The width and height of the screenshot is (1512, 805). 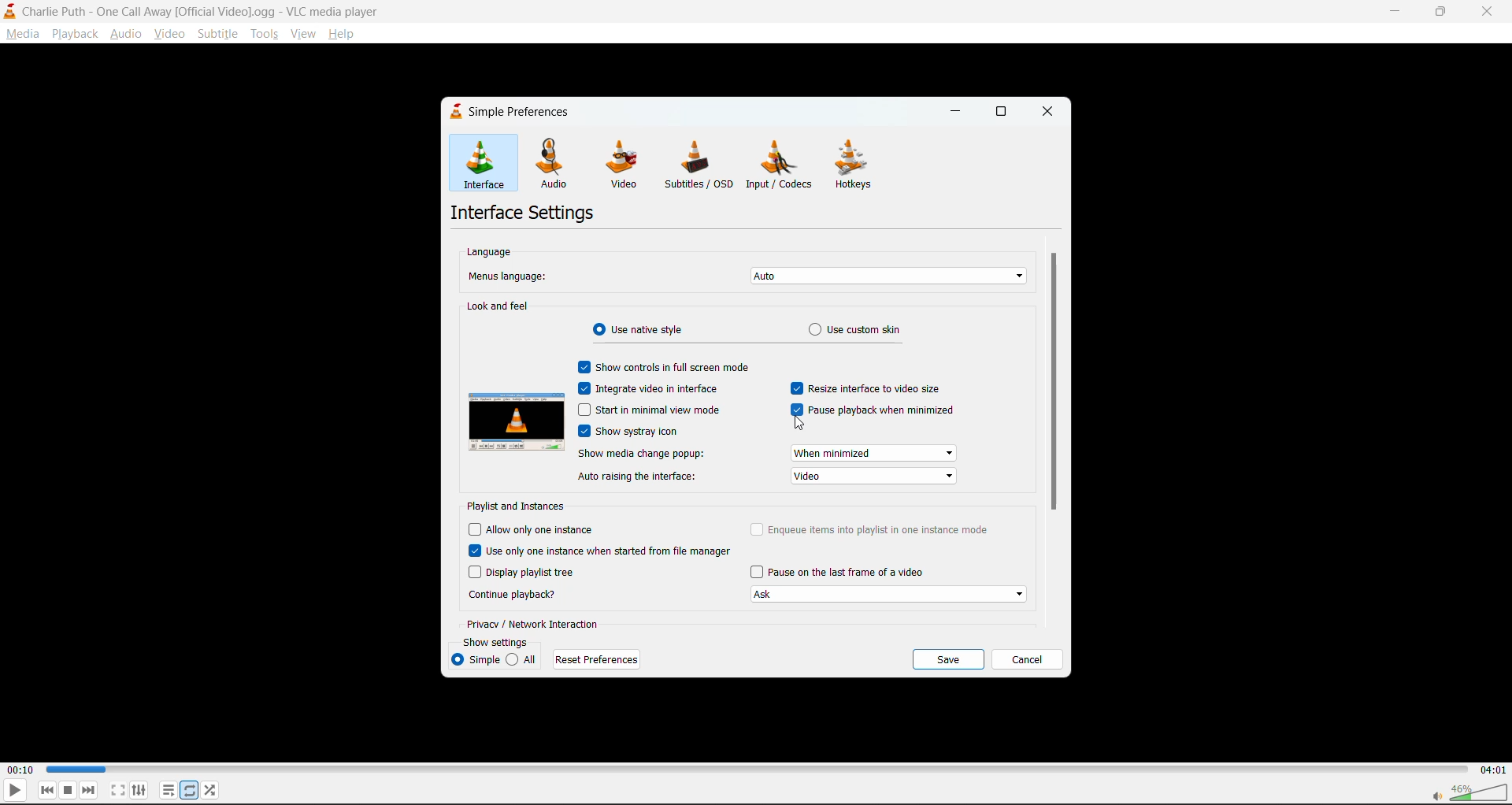 What do you see at coordinates (166, 789) in the screenshot?
I see `playlist` at bounding box center [166, 789].